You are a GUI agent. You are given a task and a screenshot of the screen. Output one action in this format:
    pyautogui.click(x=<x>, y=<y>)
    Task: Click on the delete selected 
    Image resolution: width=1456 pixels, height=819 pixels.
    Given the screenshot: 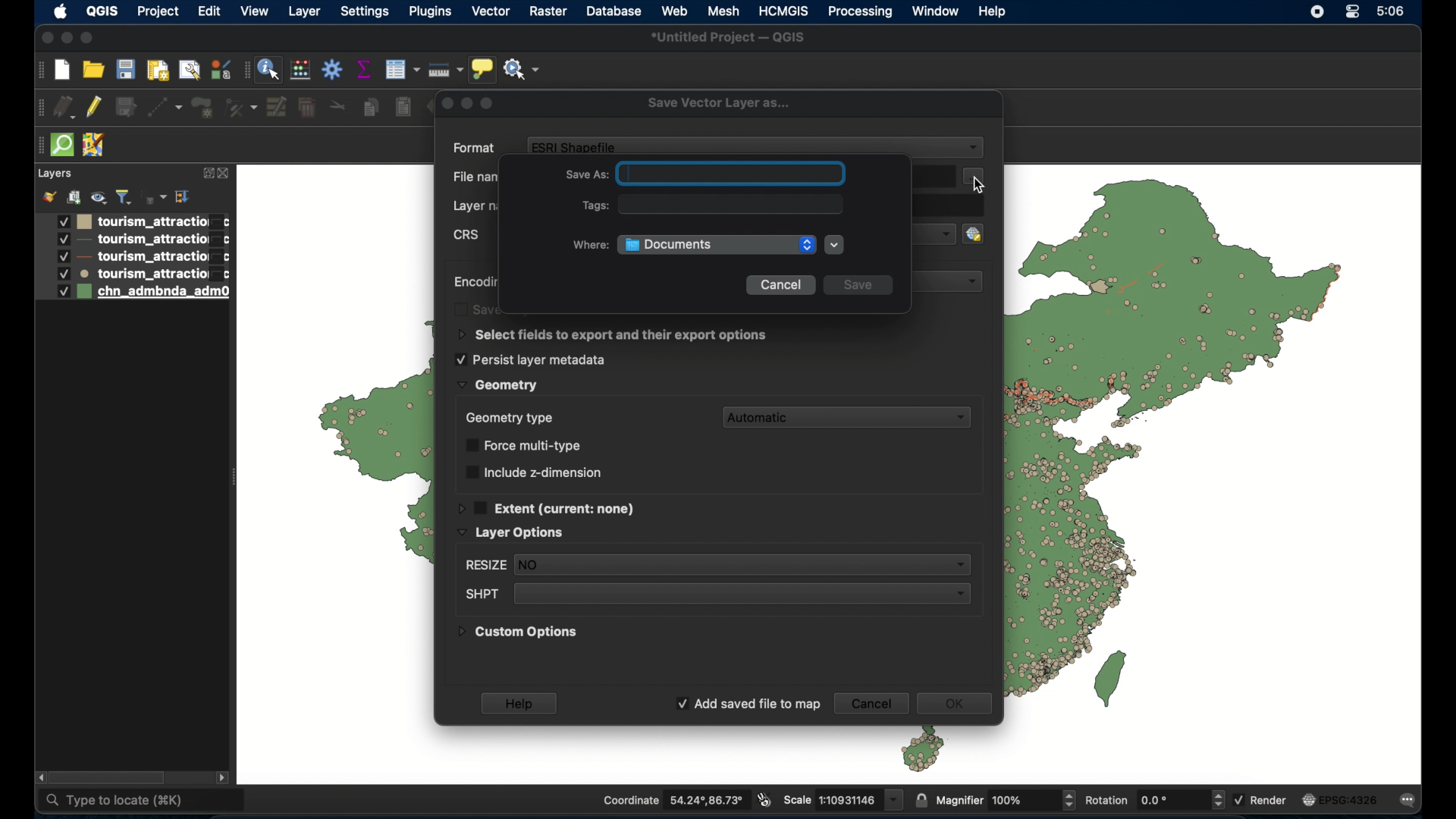 What is the action you would take?
    pyautogui.click(x=306, y=108)
    